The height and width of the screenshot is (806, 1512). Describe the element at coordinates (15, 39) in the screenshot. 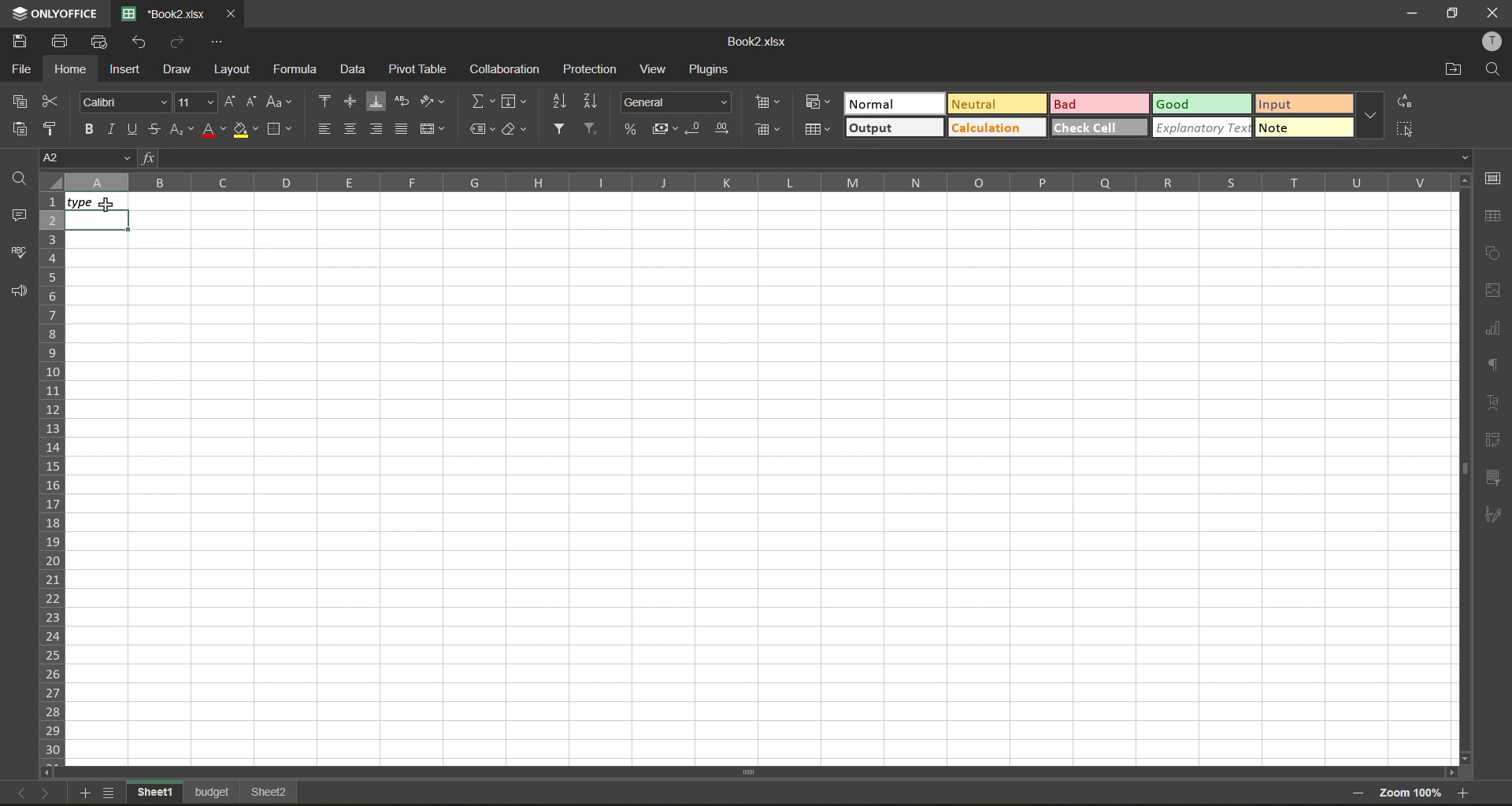

I see `save` at that location.